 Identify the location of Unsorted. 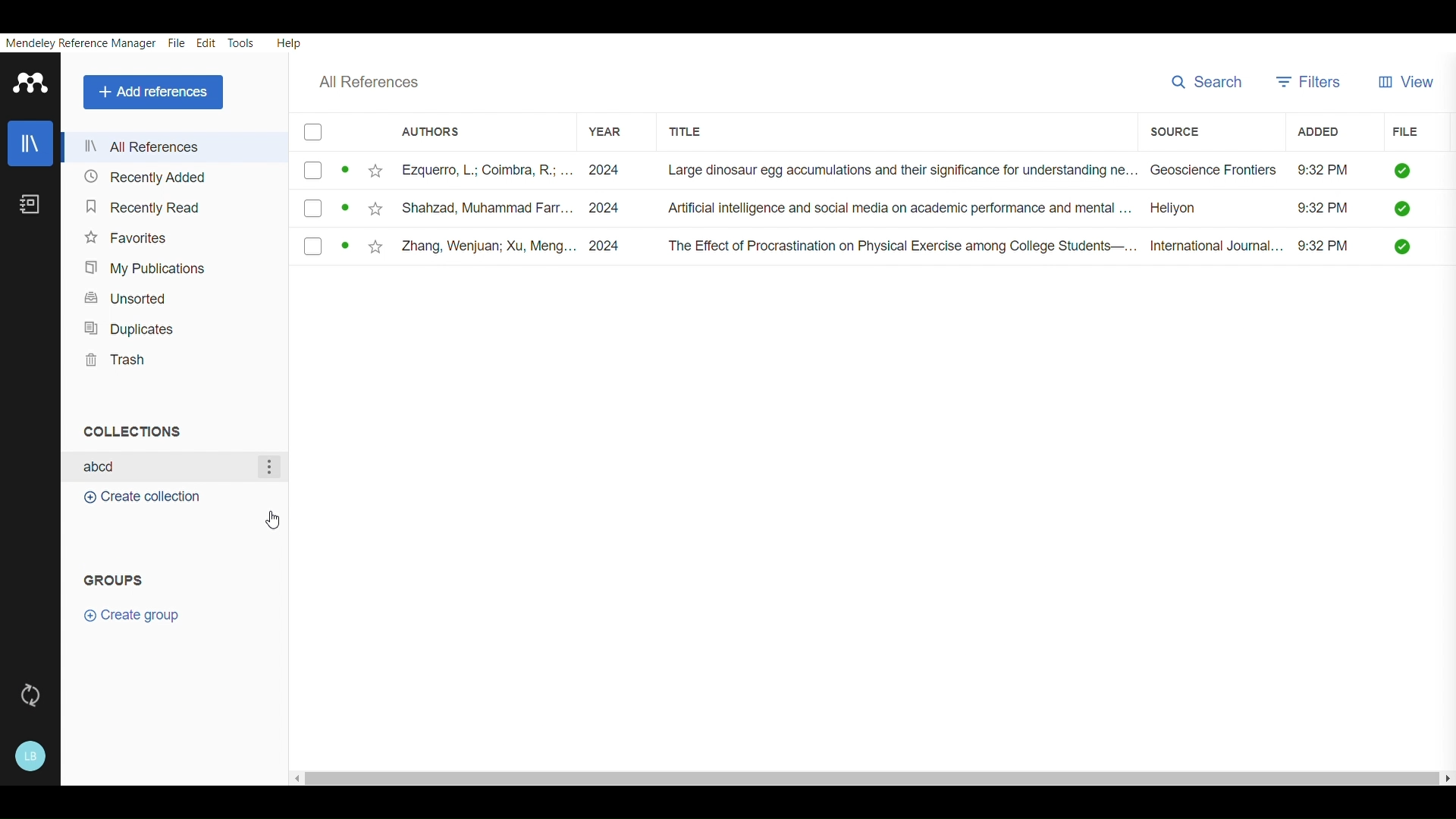
(132, 298).